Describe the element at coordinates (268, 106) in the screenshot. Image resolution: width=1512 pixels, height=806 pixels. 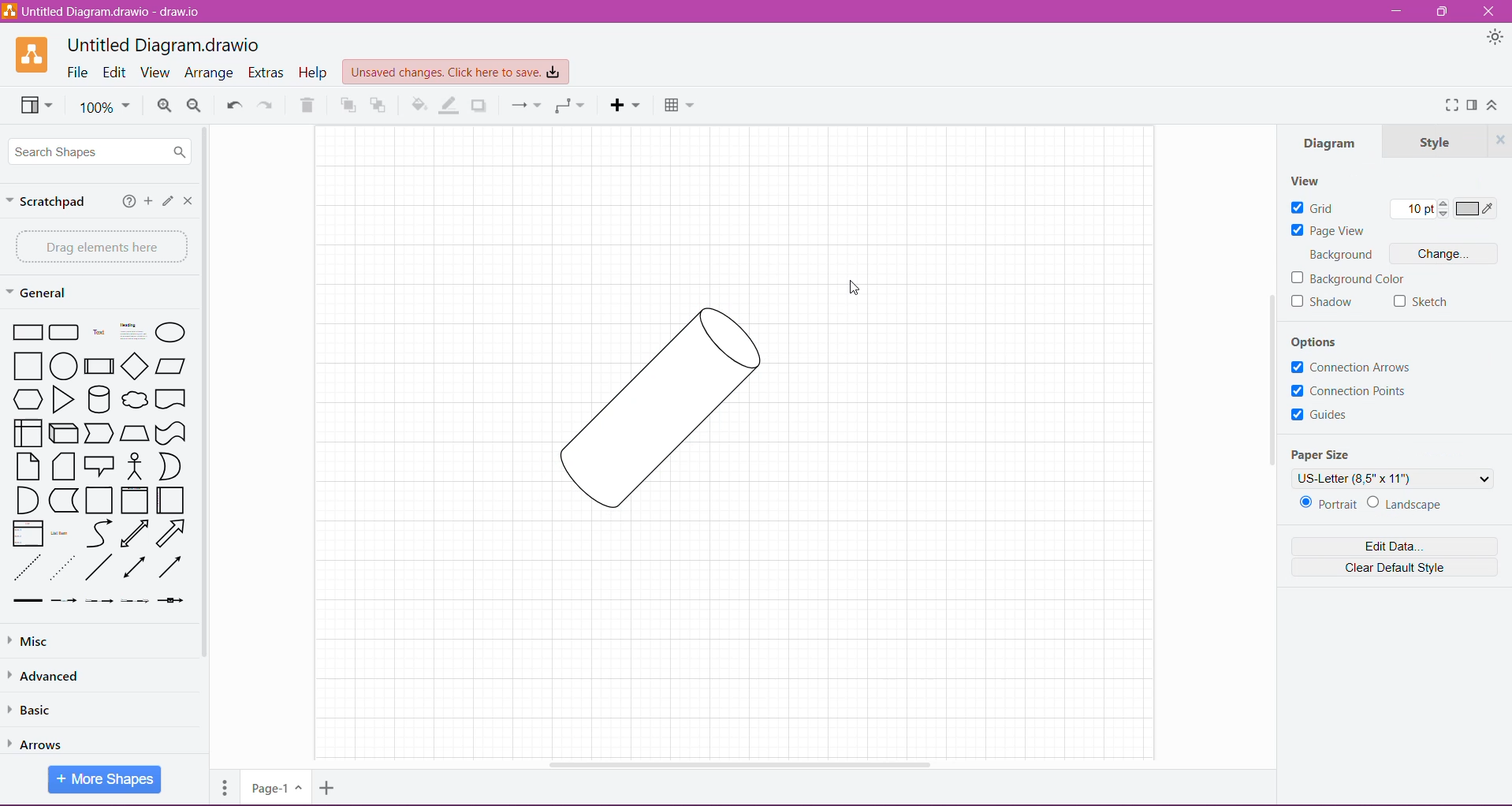
I see `Redo` at that location.